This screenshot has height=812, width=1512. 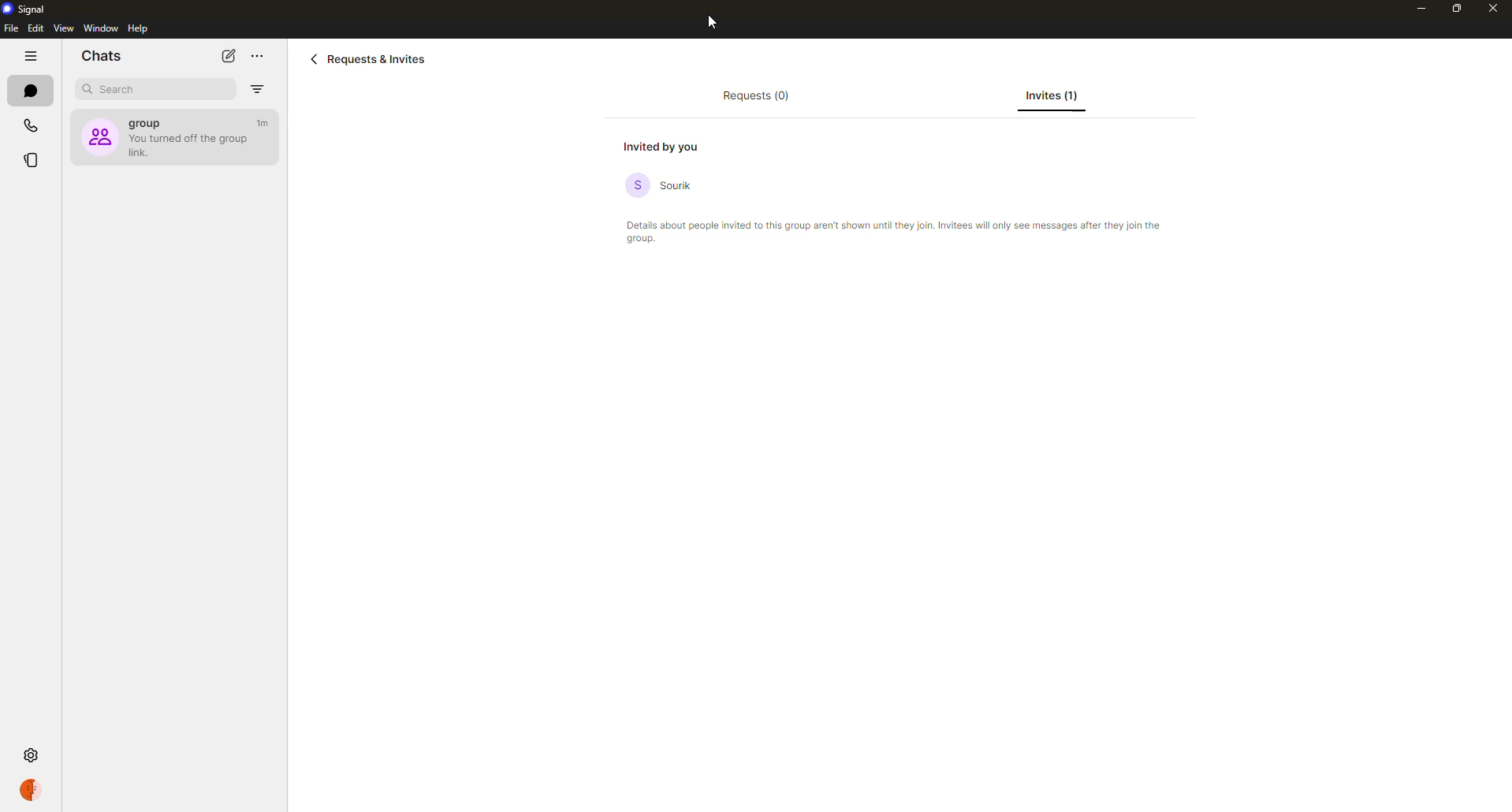 What do you see at coordinates (1495, 9) in the screenshot?
I see `close` at bounding box center [1495, 9].